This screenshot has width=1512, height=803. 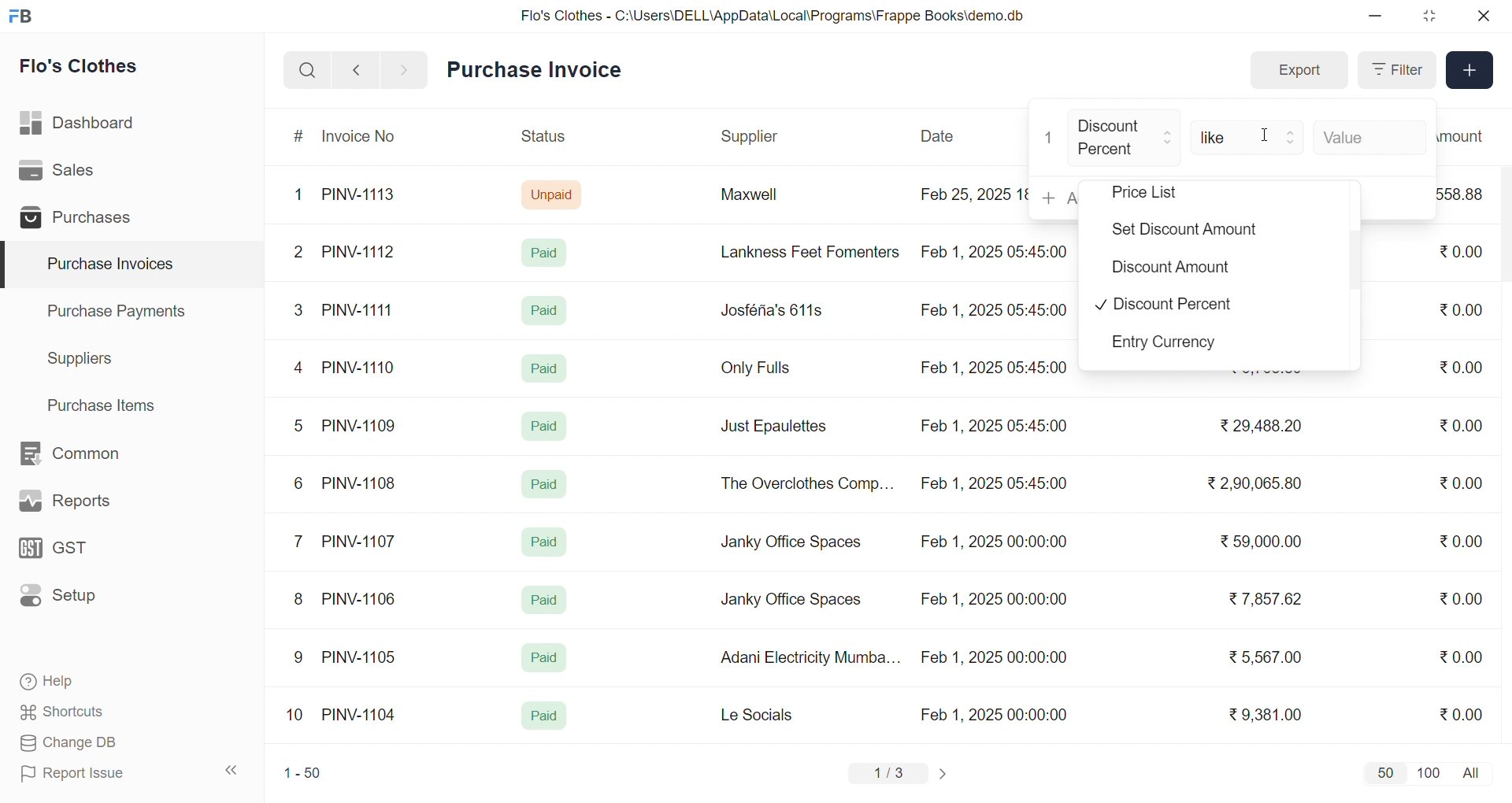 What do you see at coordinates (1462, 656) in the screenshot?
I see `₹0.00` at bounding box center [1462, 656].